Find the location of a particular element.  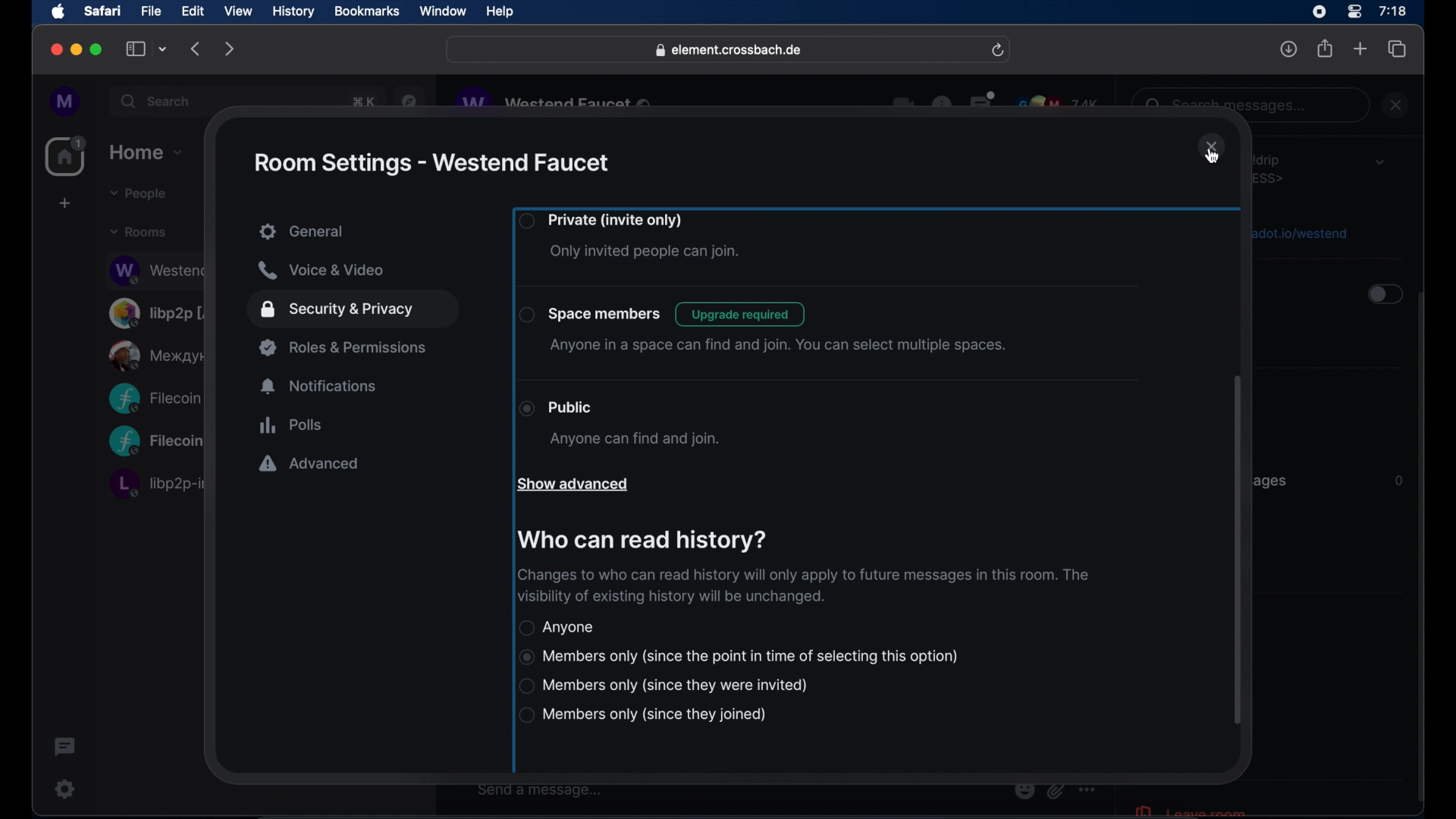

minimize is located at coordinates (77, 49).